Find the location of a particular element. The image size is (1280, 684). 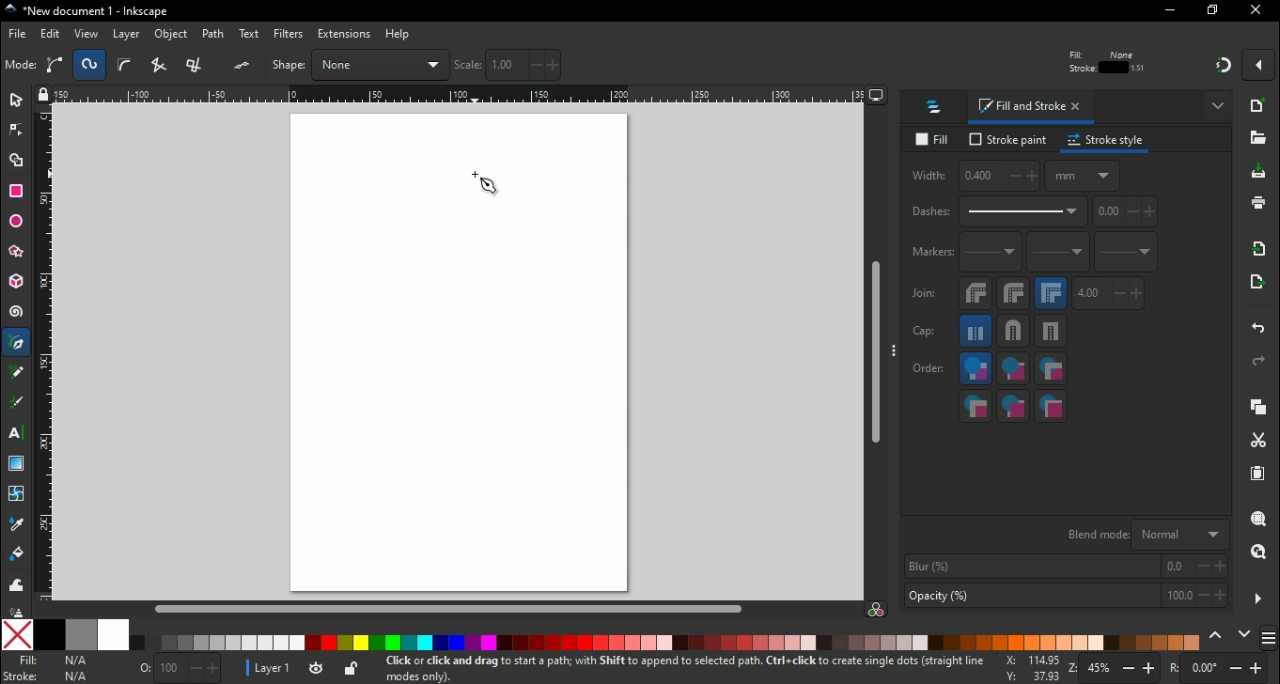

fill color is located at coordinates (53, 661).